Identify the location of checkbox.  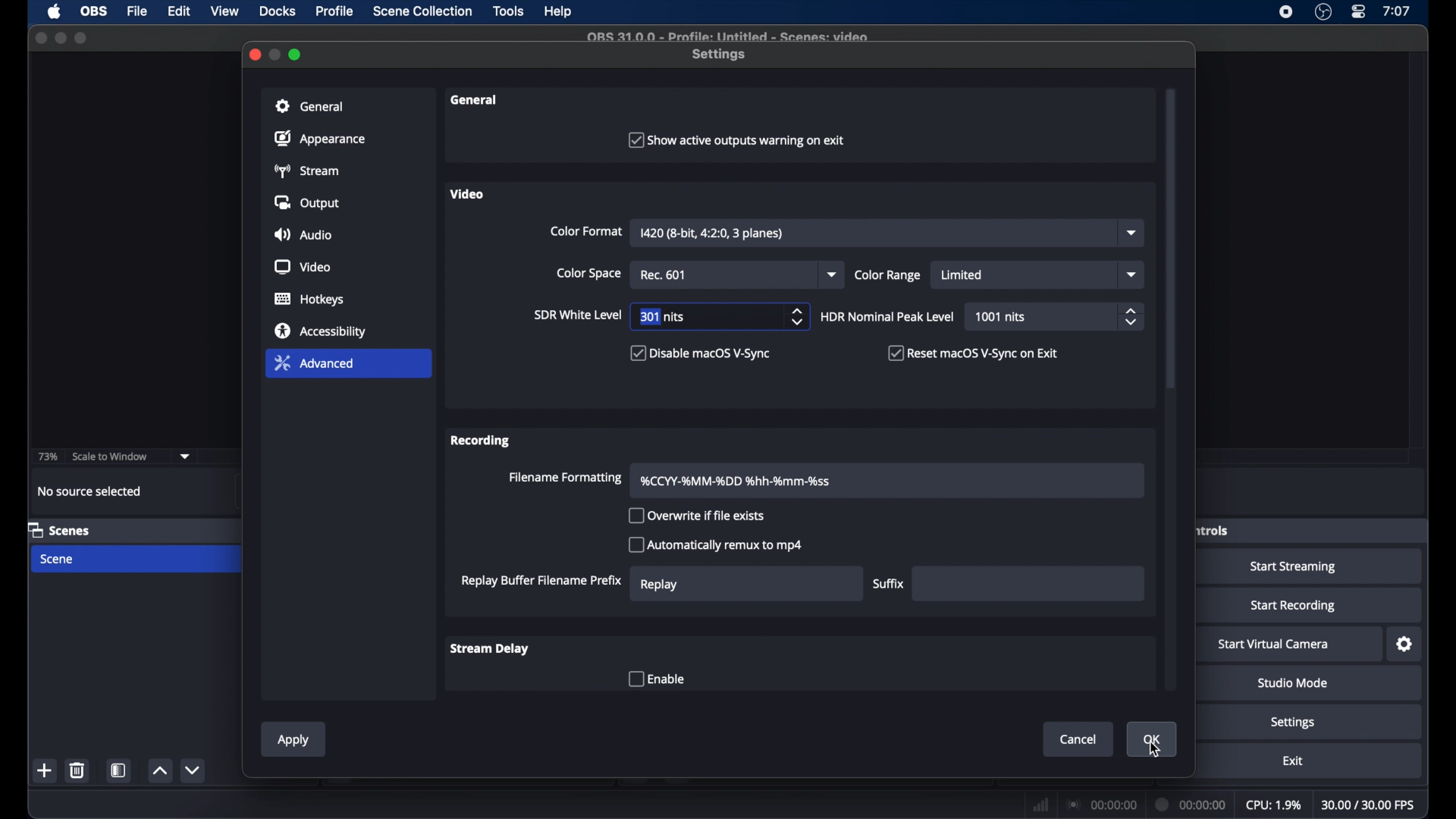
(717, 544).